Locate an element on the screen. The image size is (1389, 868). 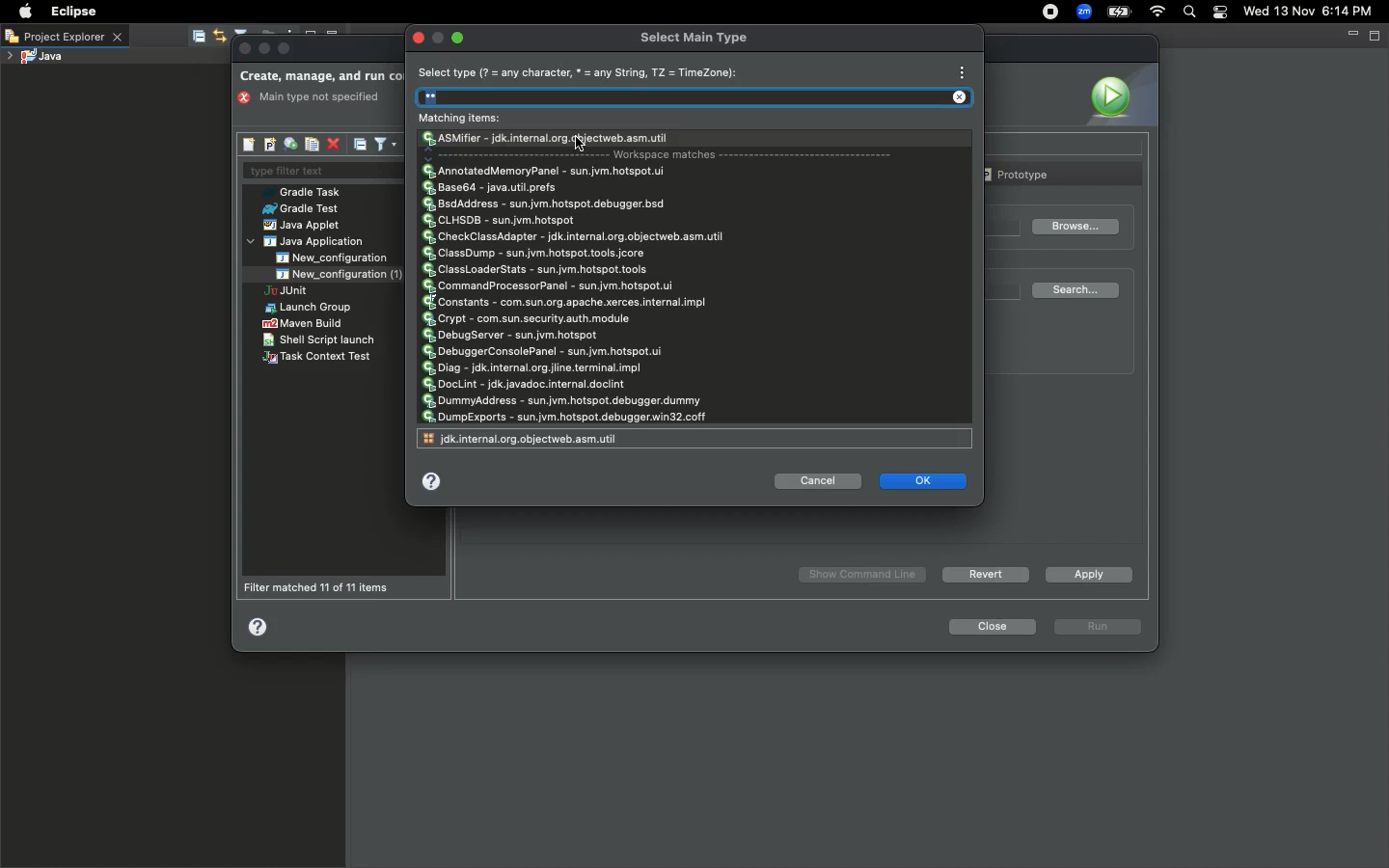
Matching items is located at coordinates (466, 119).